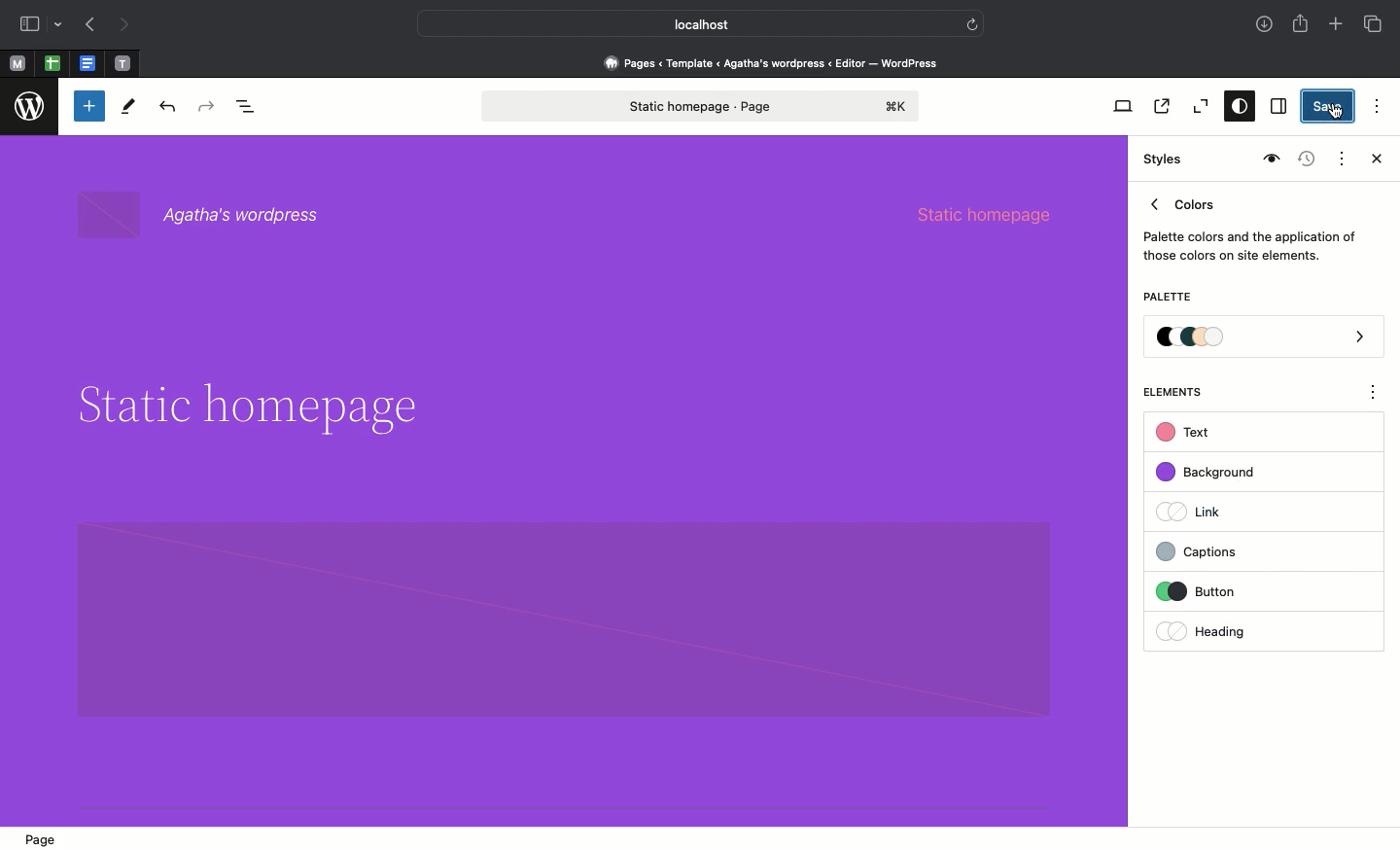 The width and height of the screenshot is (1400, 850). I want to click on Settings, so click(1277, 107).